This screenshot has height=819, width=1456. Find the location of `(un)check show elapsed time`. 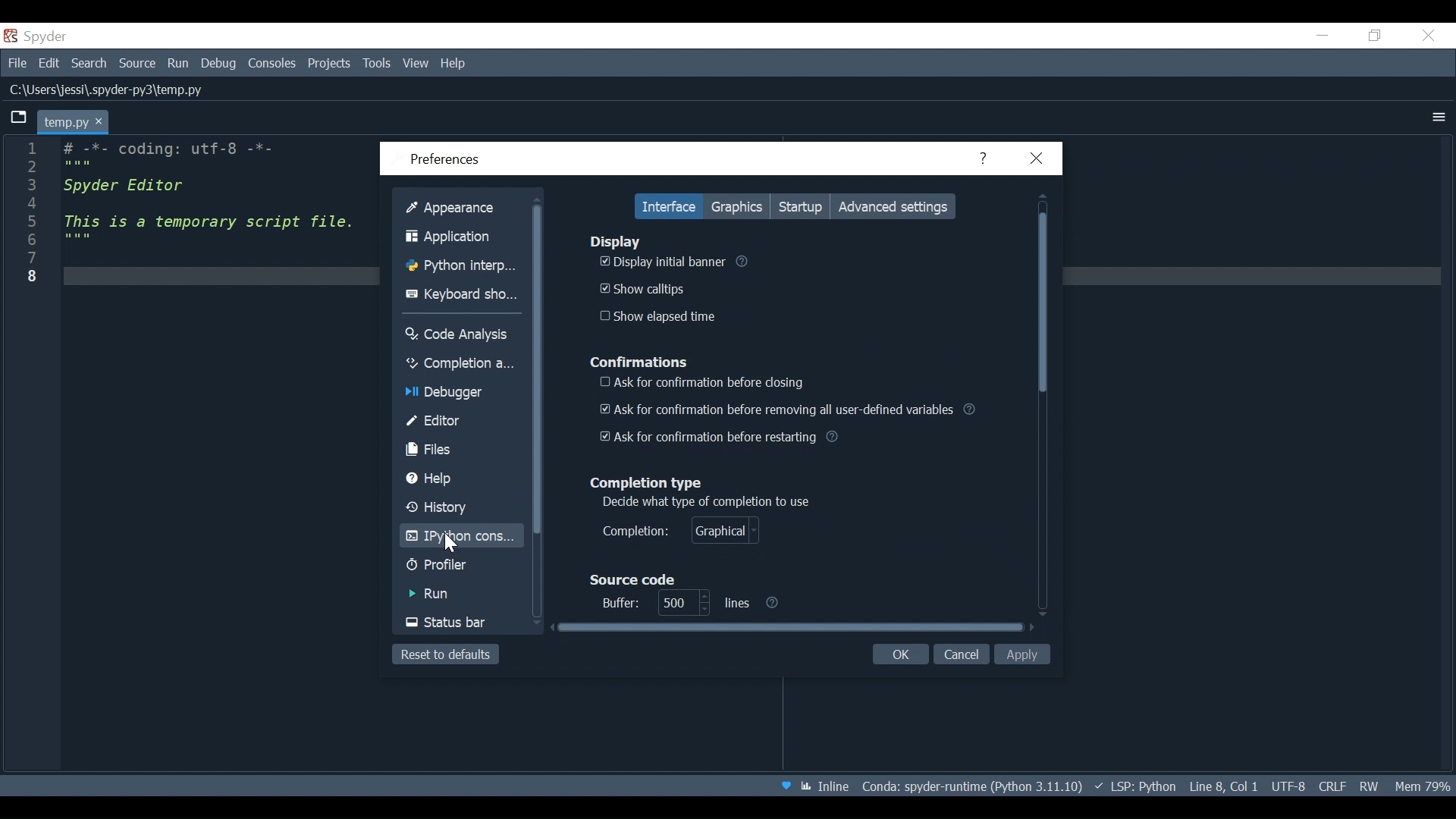

(un)check show elapsed time is located at coordinates (657, 317).